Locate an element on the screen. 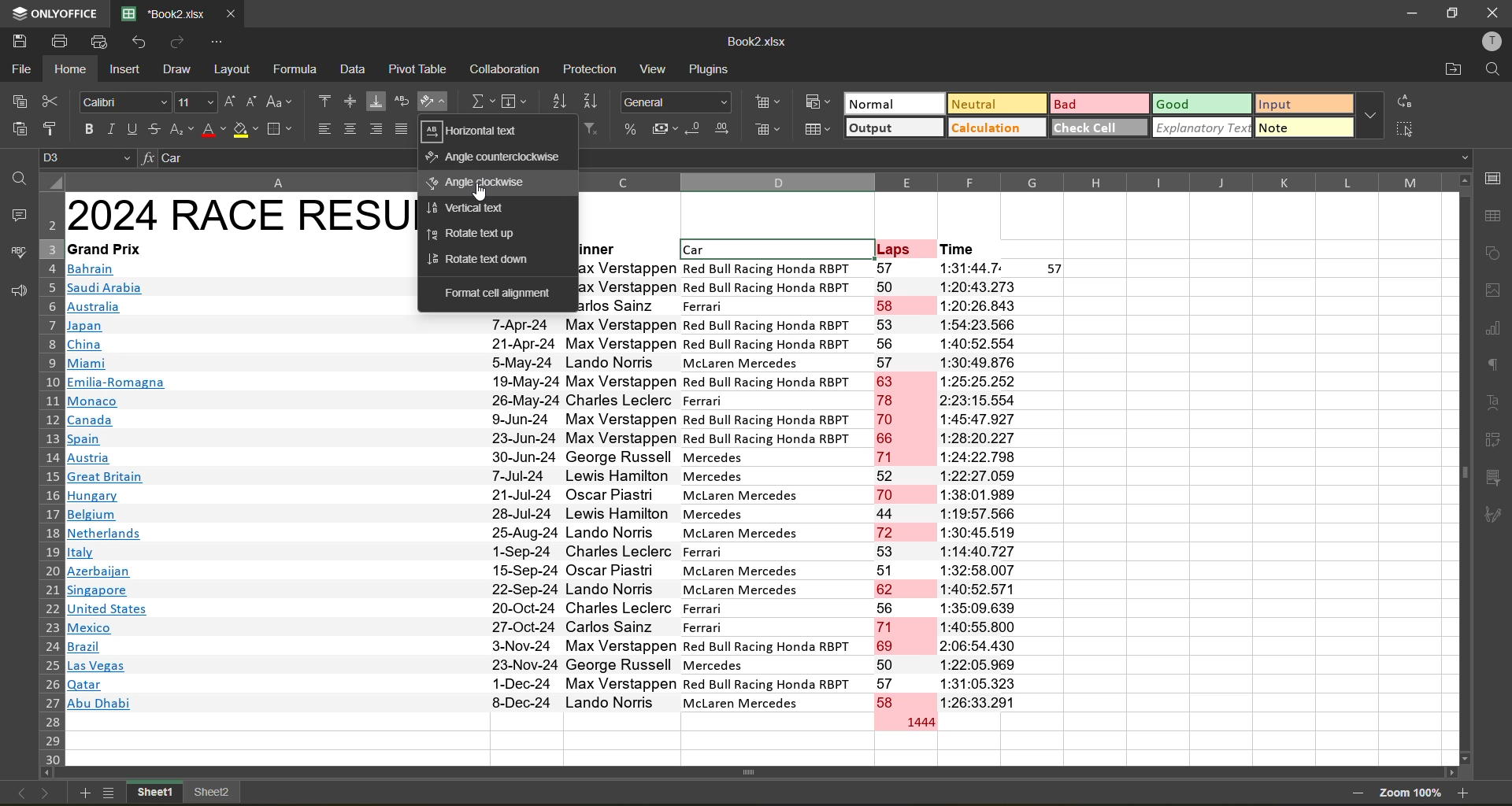  input is located at coordinates (1304, 104).